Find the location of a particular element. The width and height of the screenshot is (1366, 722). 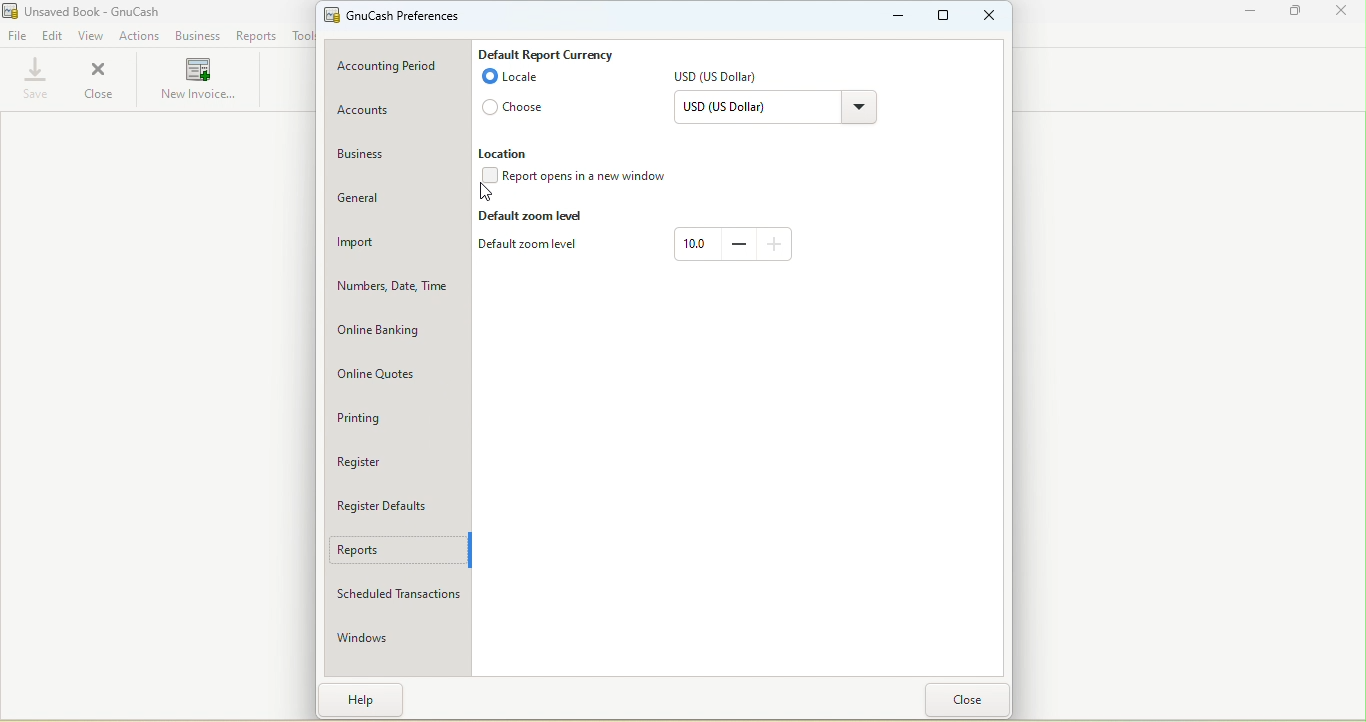

cursor is located at coordinates (487, 194).